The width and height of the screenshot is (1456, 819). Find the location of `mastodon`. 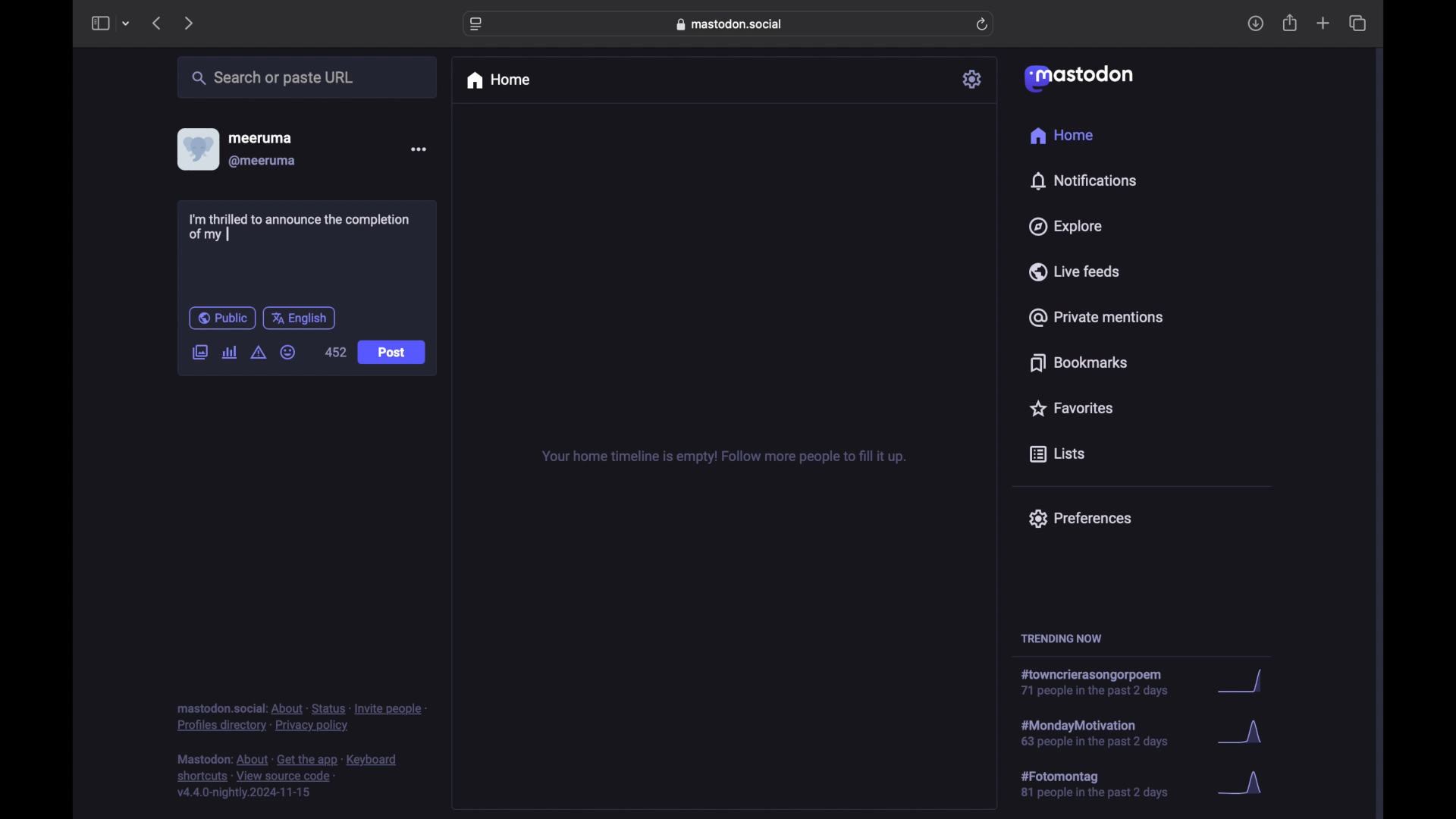

mastodon is located at coordinates (1079, 79).